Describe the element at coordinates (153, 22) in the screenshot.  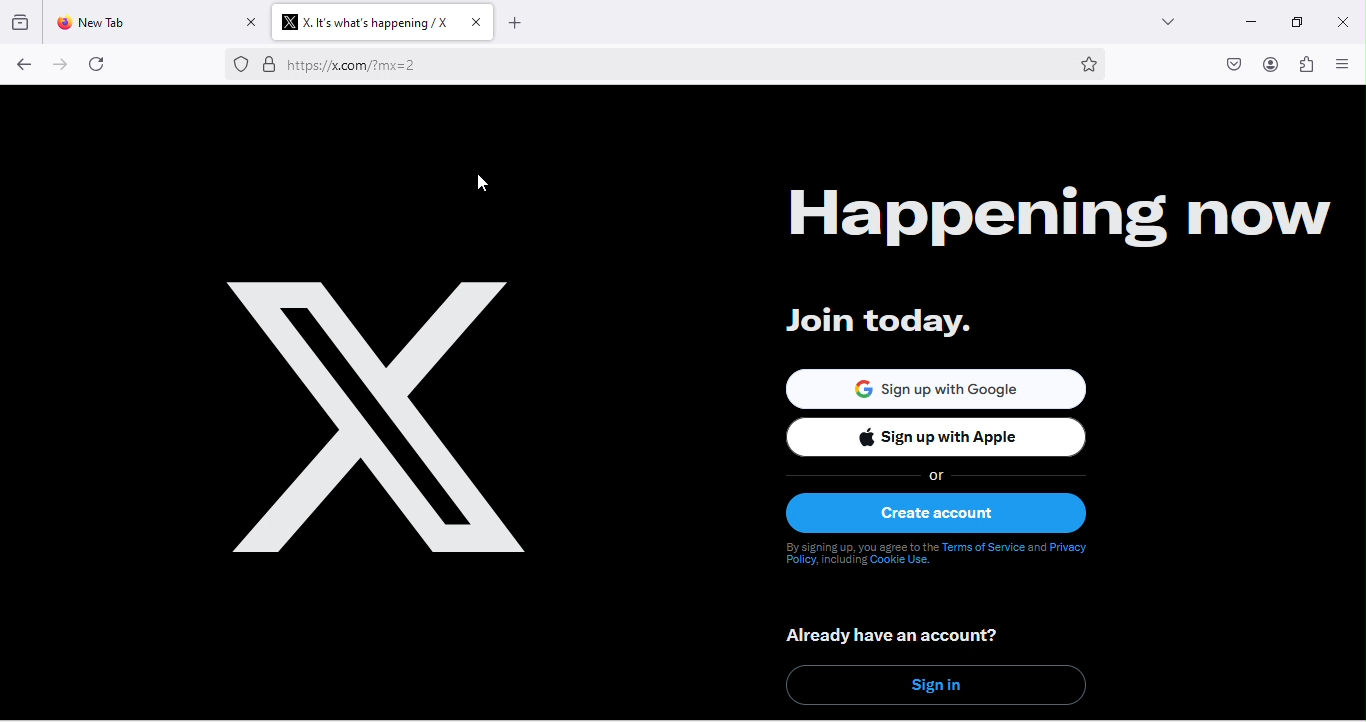
I see `new tab` at that location.